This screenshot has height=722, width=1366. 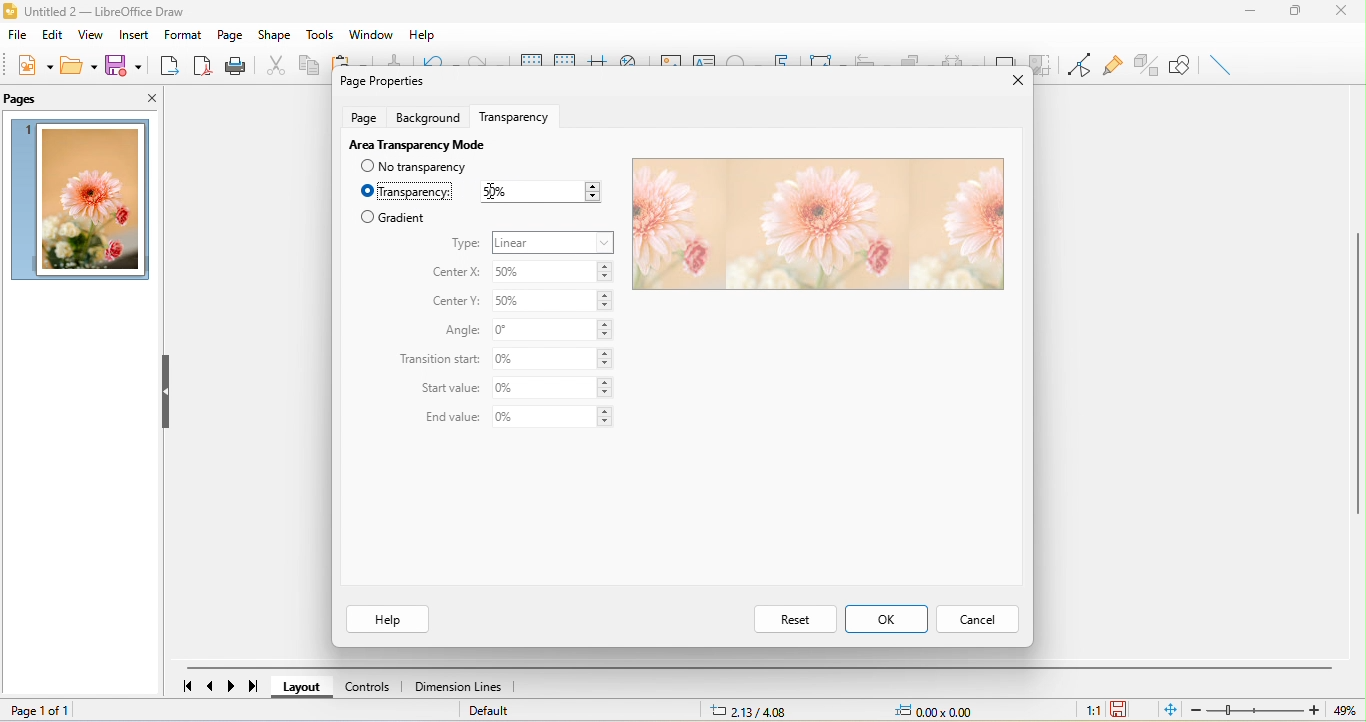 I want to click on page, so click(x=232, y=34).